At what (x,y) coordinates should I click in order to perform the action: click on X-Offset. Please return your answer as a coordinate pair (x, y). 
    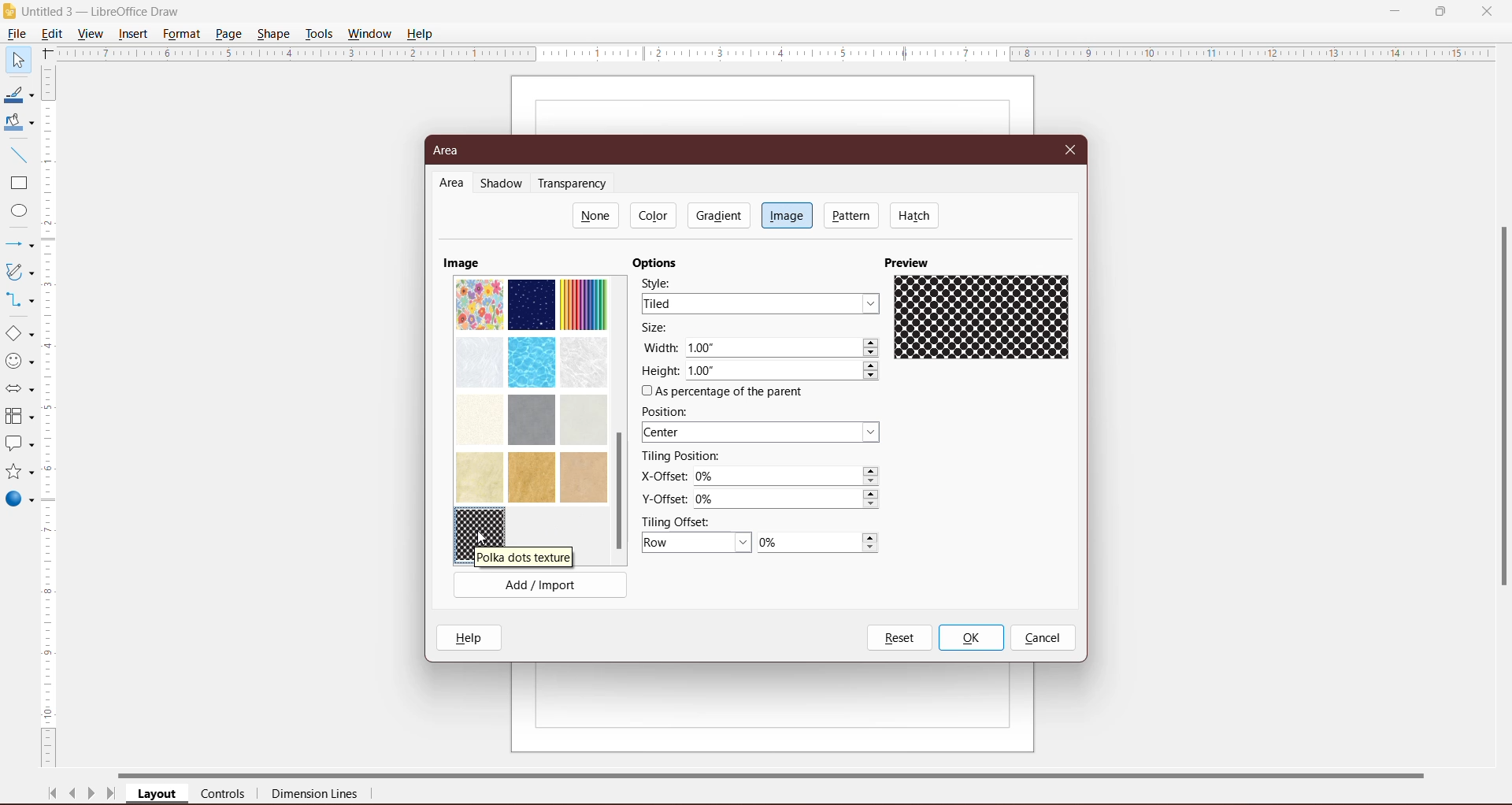
    Looking at the image, I should click on (661, 476).